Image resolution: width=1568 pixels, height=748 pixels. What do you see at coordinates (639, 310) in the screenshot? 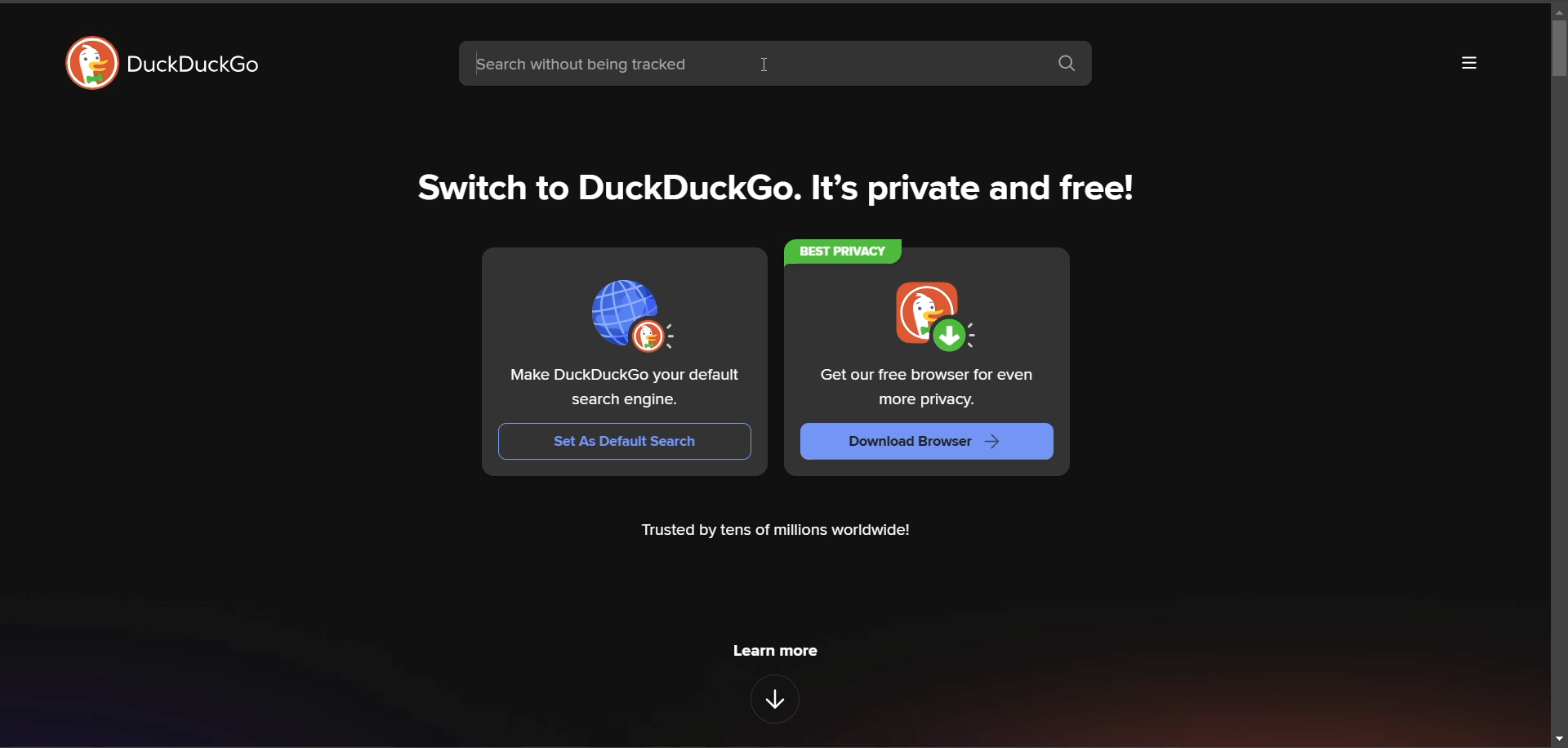
I see `set as default search tile` at bounding box center [639, 310].